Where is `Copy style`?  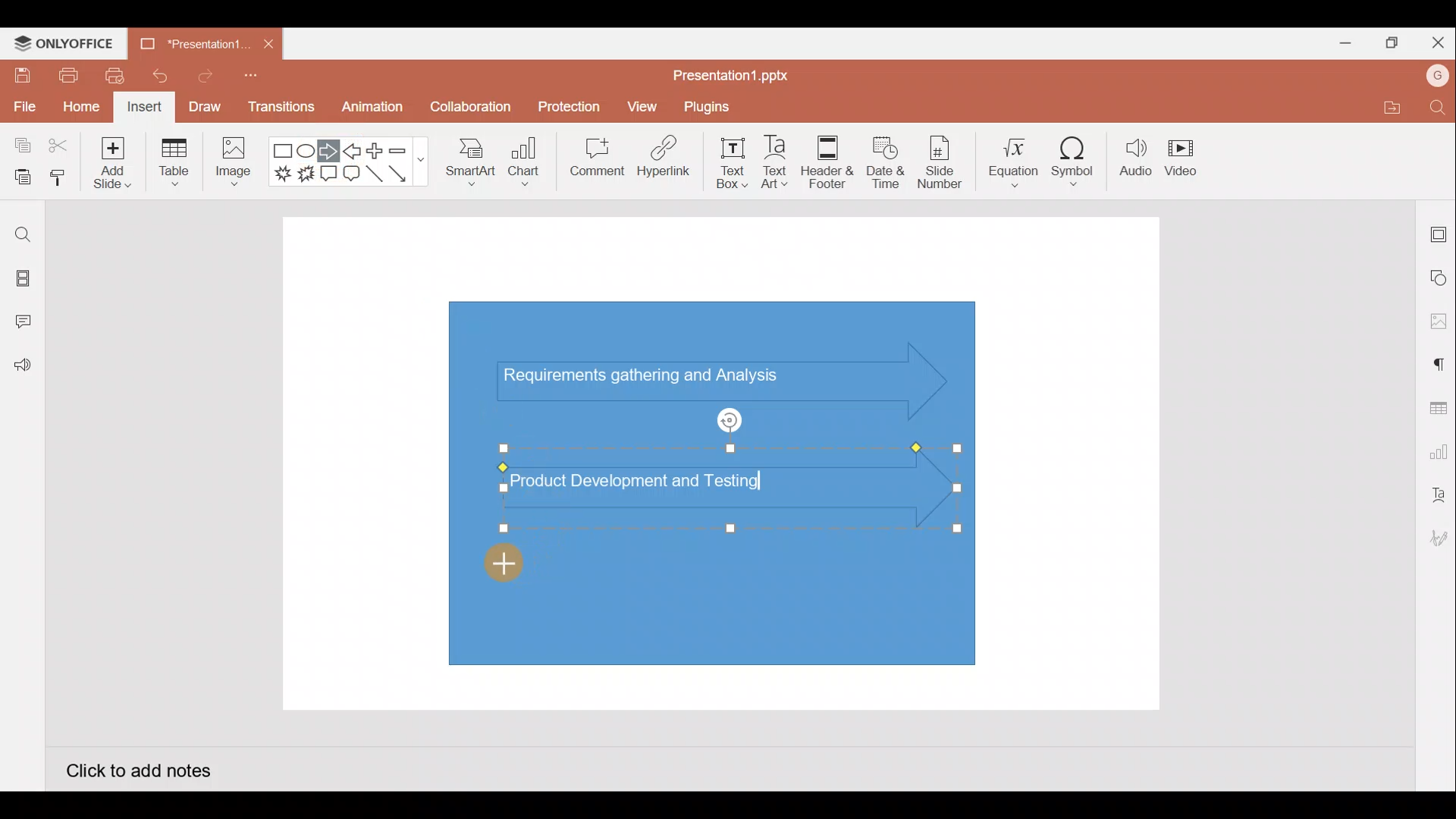
Copy style is located at coordinates (59, 180).